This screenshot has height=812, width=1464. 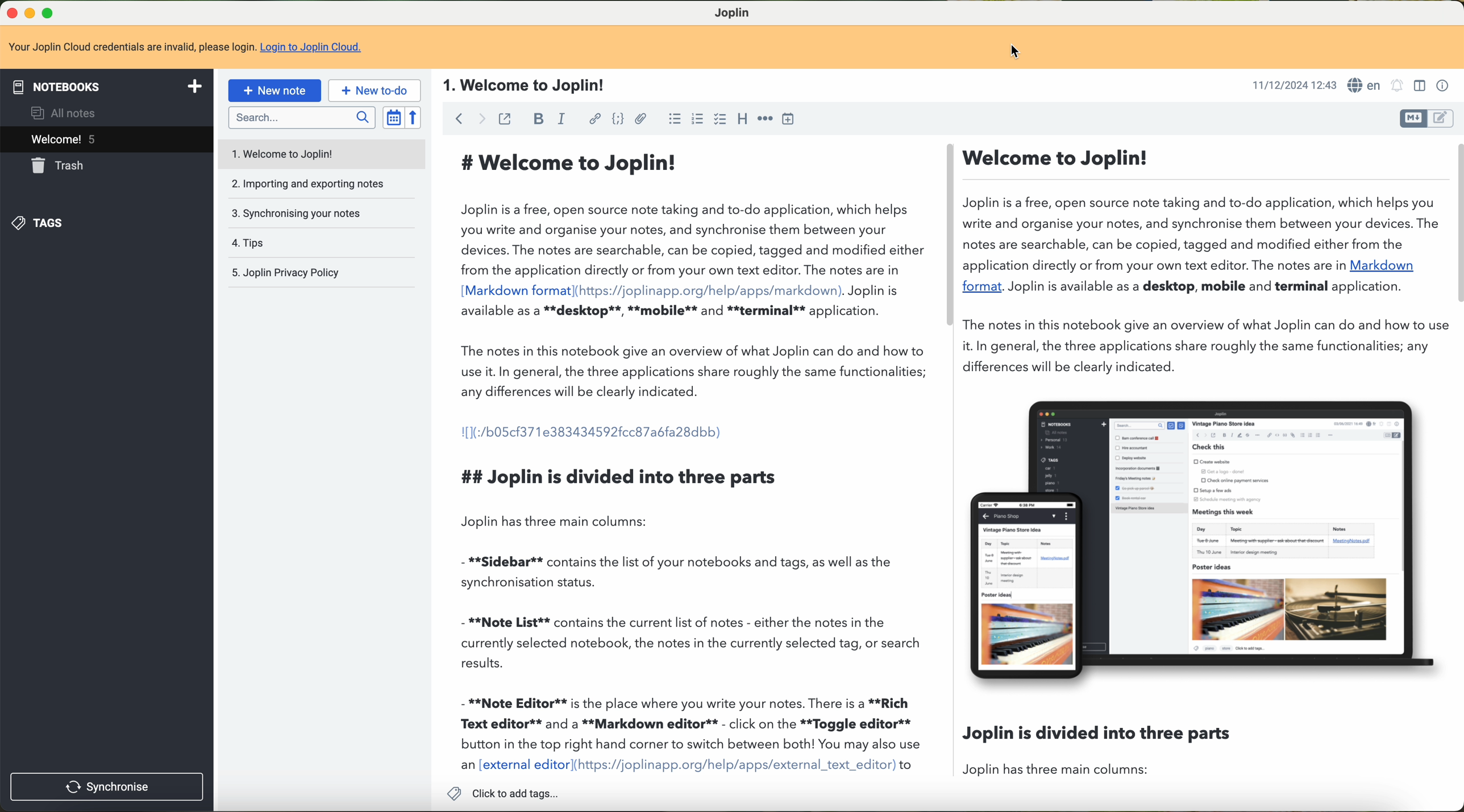 I want to click on new to-do, so click(x=373, y=89).